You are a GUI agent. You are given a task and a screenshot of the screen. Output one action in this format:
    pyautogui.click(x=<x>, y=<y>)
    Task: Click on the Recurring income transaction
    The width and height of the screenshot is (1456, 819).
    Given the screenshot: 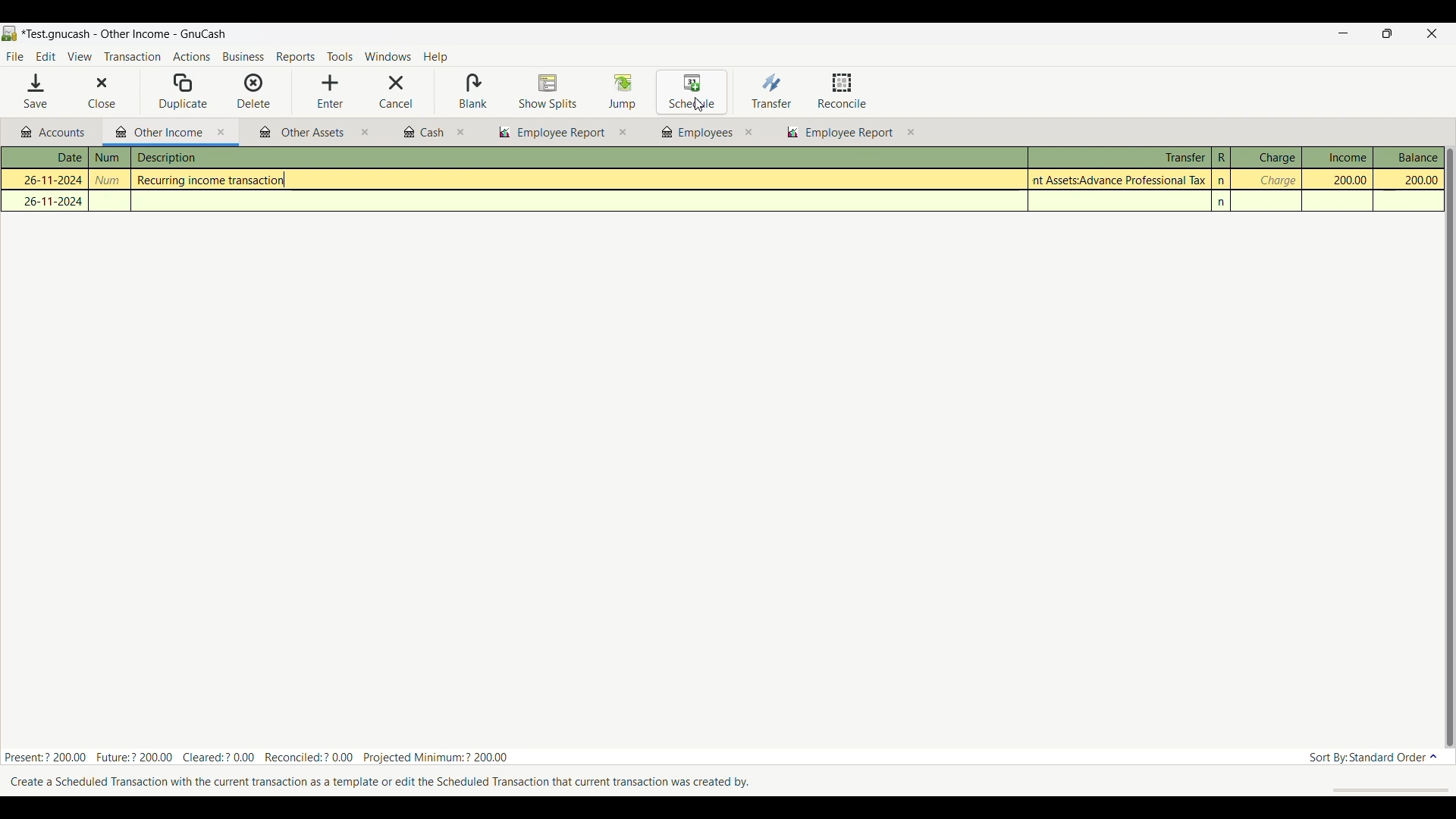 What is the action you would take?
    pyautogui.click(x=217, y=180)
    